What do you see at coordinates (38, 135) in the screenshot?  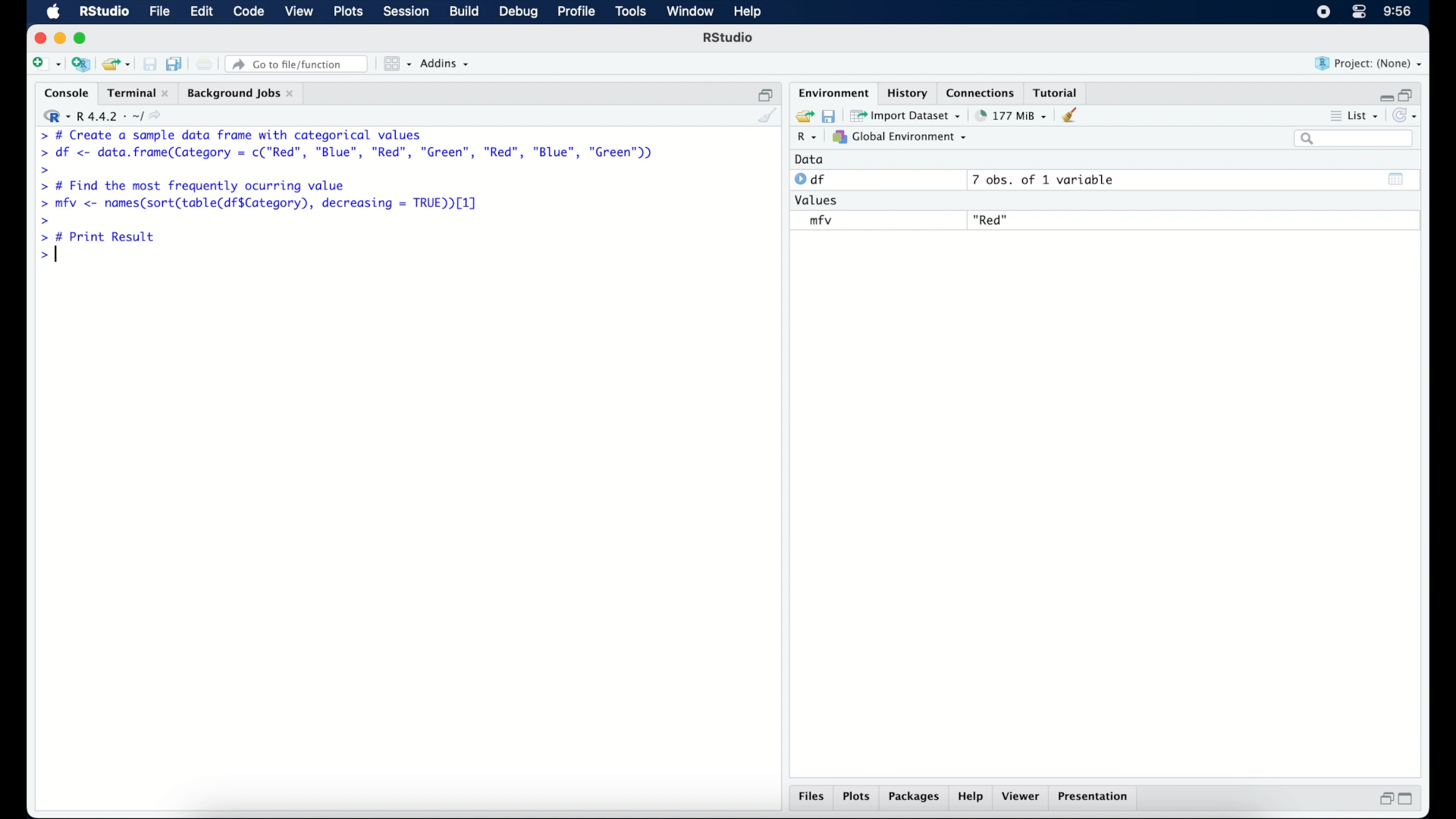 I see `command prompt` at bounding box center [38, 135].